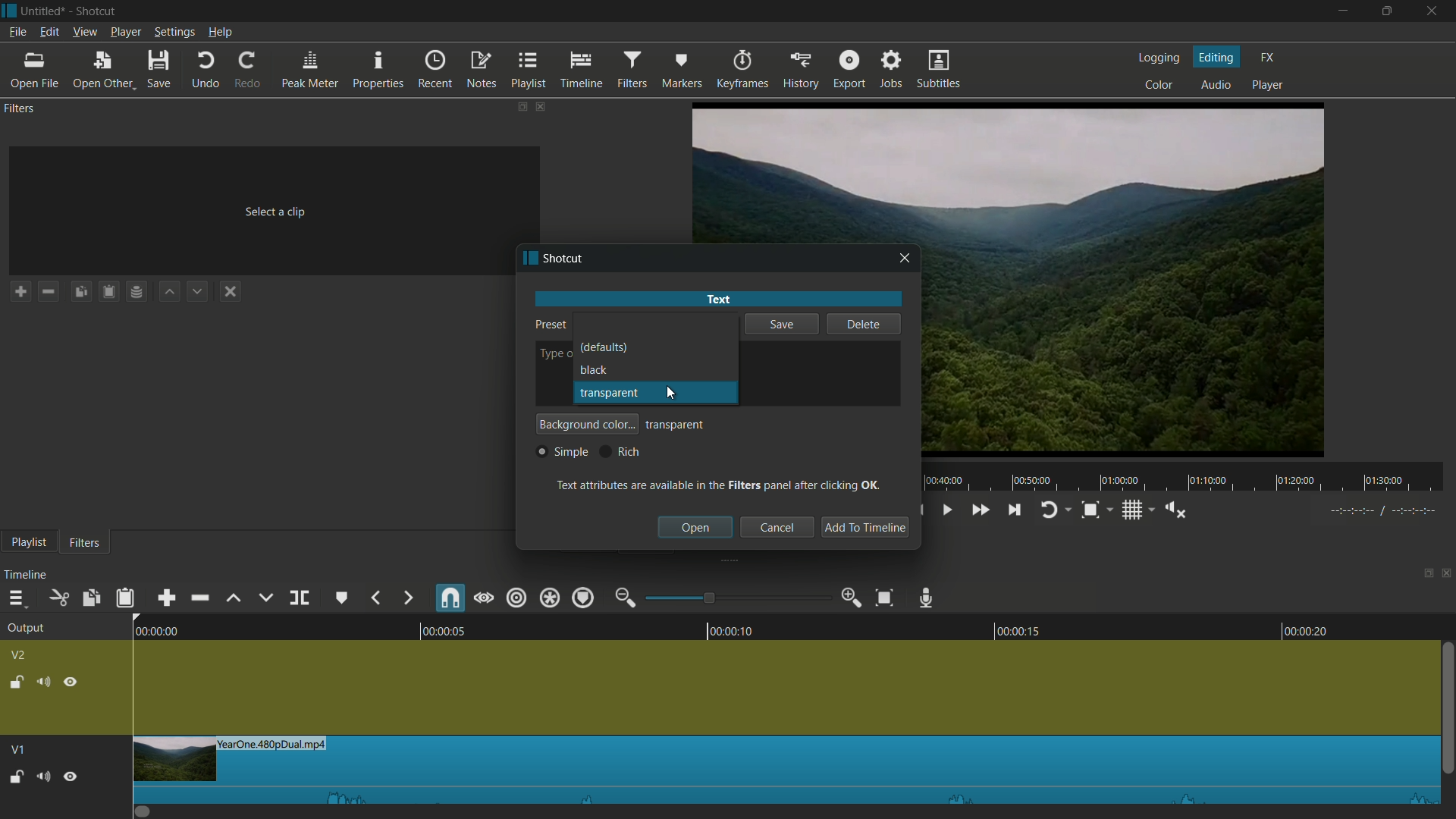 The height and width of the screenshot is (819, 1456). Describe the element at coordinates (111, 292) in the screenshot. I see `Clipboard` at that location.